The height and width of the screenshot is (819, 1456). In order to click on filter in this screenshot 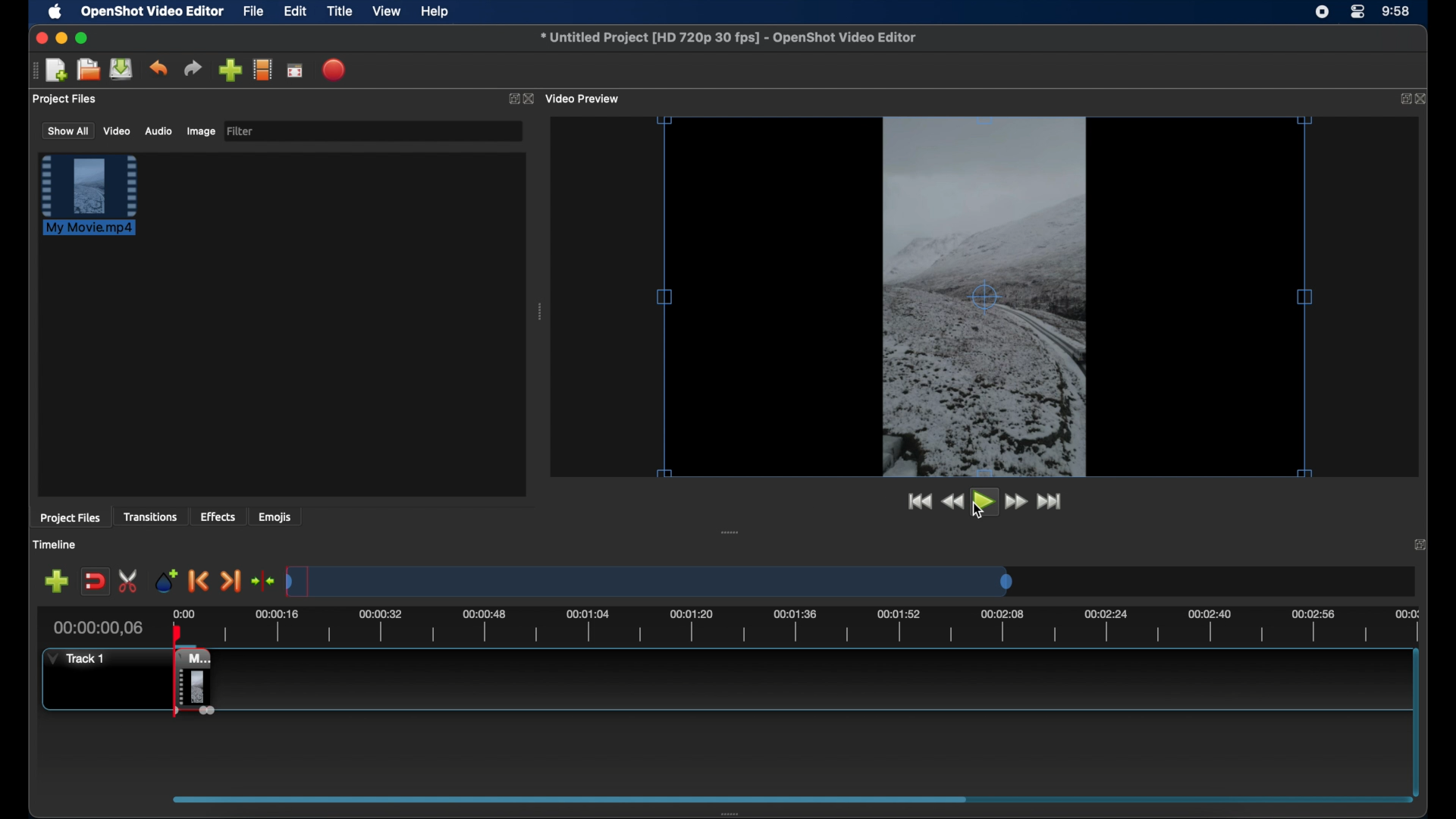, I will do `click(241, 131)`.